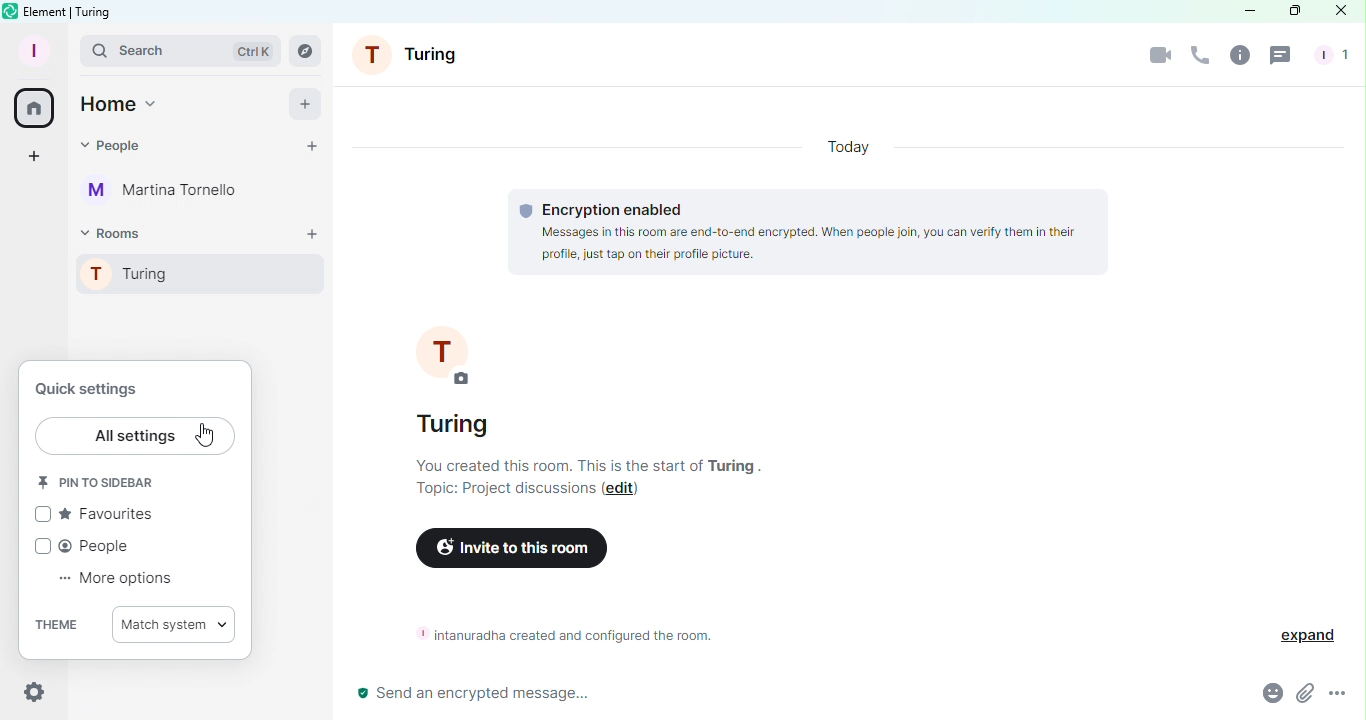 The image size is (1366, 720). Describe the element at coordinates (183, 51) in the screenshot. I see `Search bar` at that location.